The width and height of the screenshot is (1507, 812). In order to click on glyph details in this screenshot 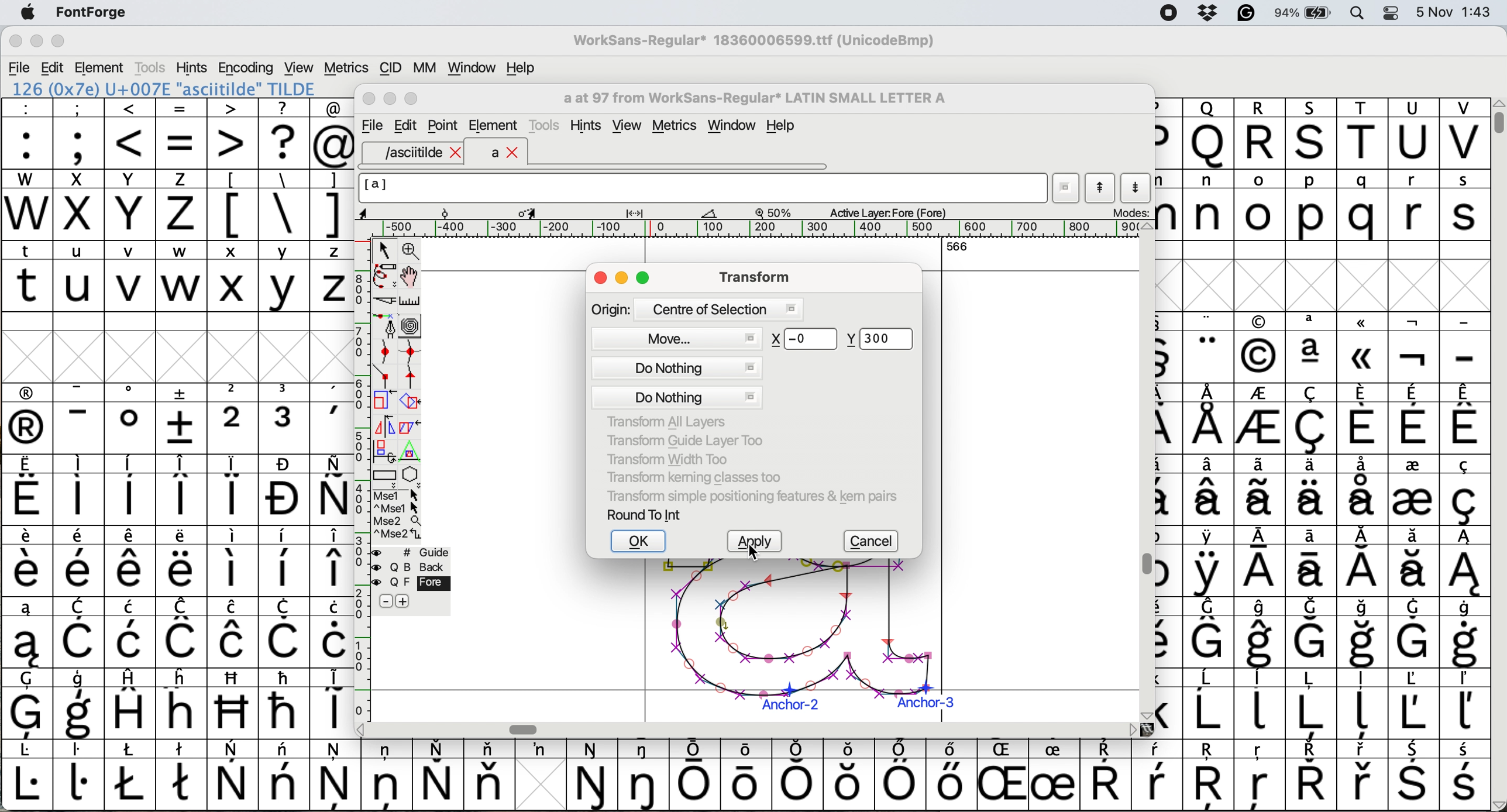, I will do `click(546, 212)`.